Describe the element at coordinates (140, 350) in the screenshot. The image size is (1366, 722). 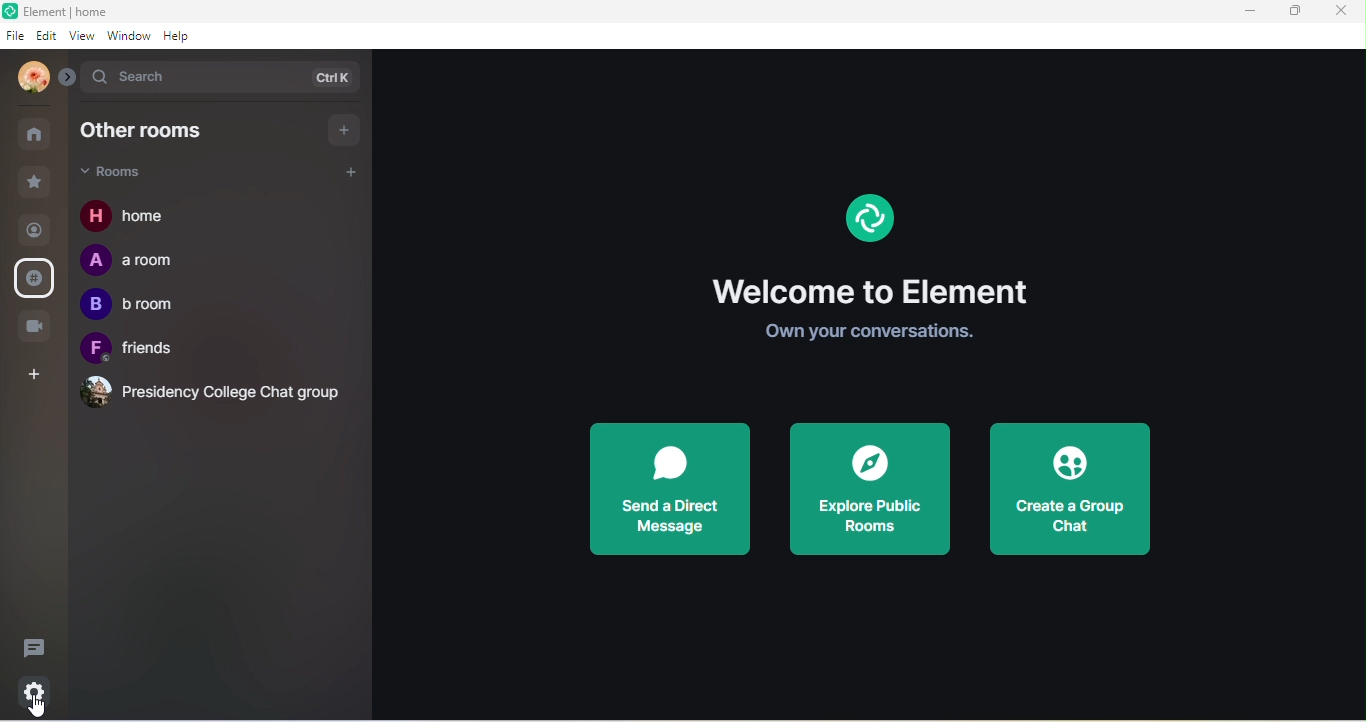
I see `friends` at that location.